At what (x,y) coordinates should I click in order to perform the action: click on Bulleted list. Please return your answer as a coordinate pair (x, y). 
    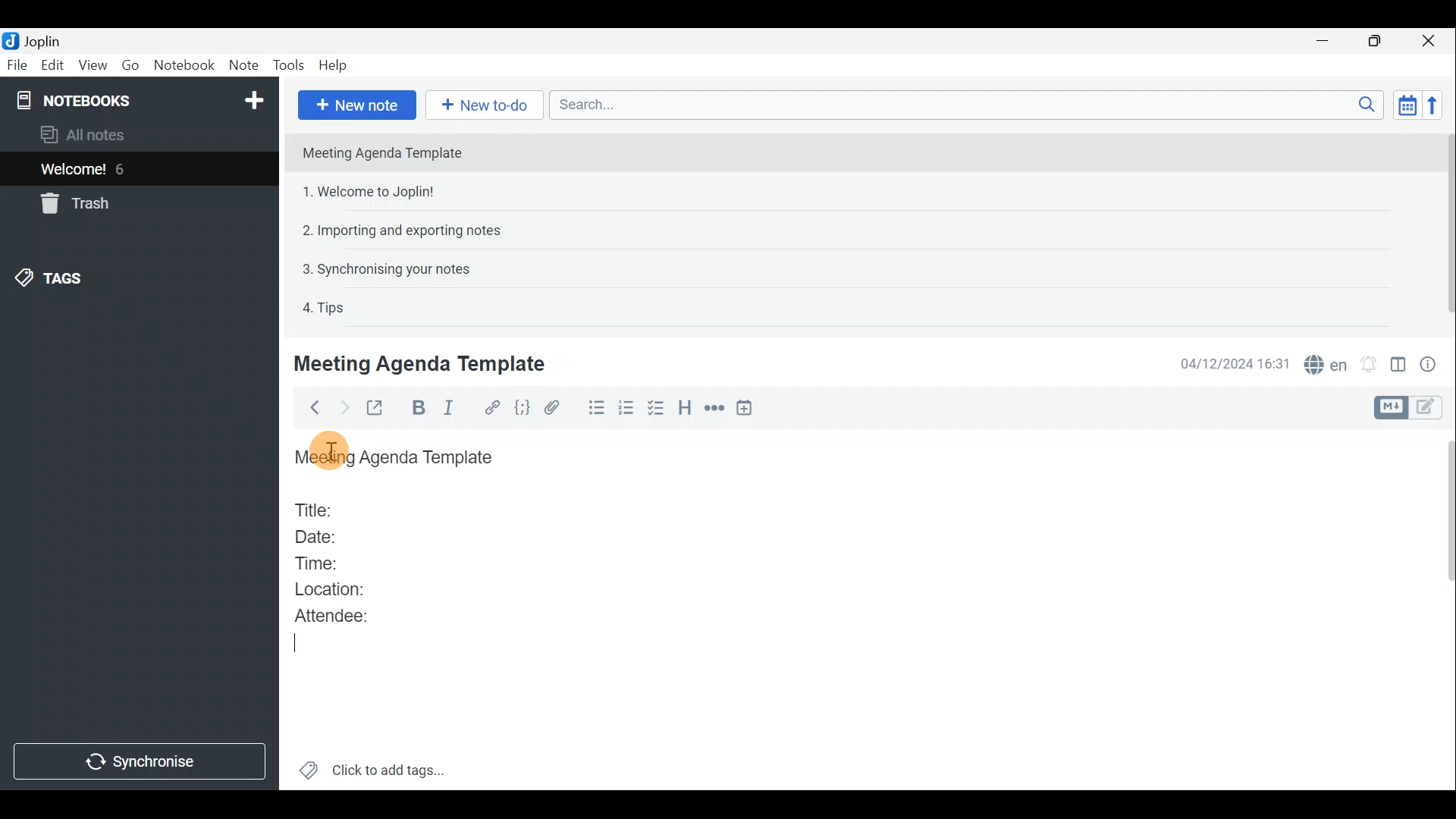
    Looking at the image, I should click on (595, 408).